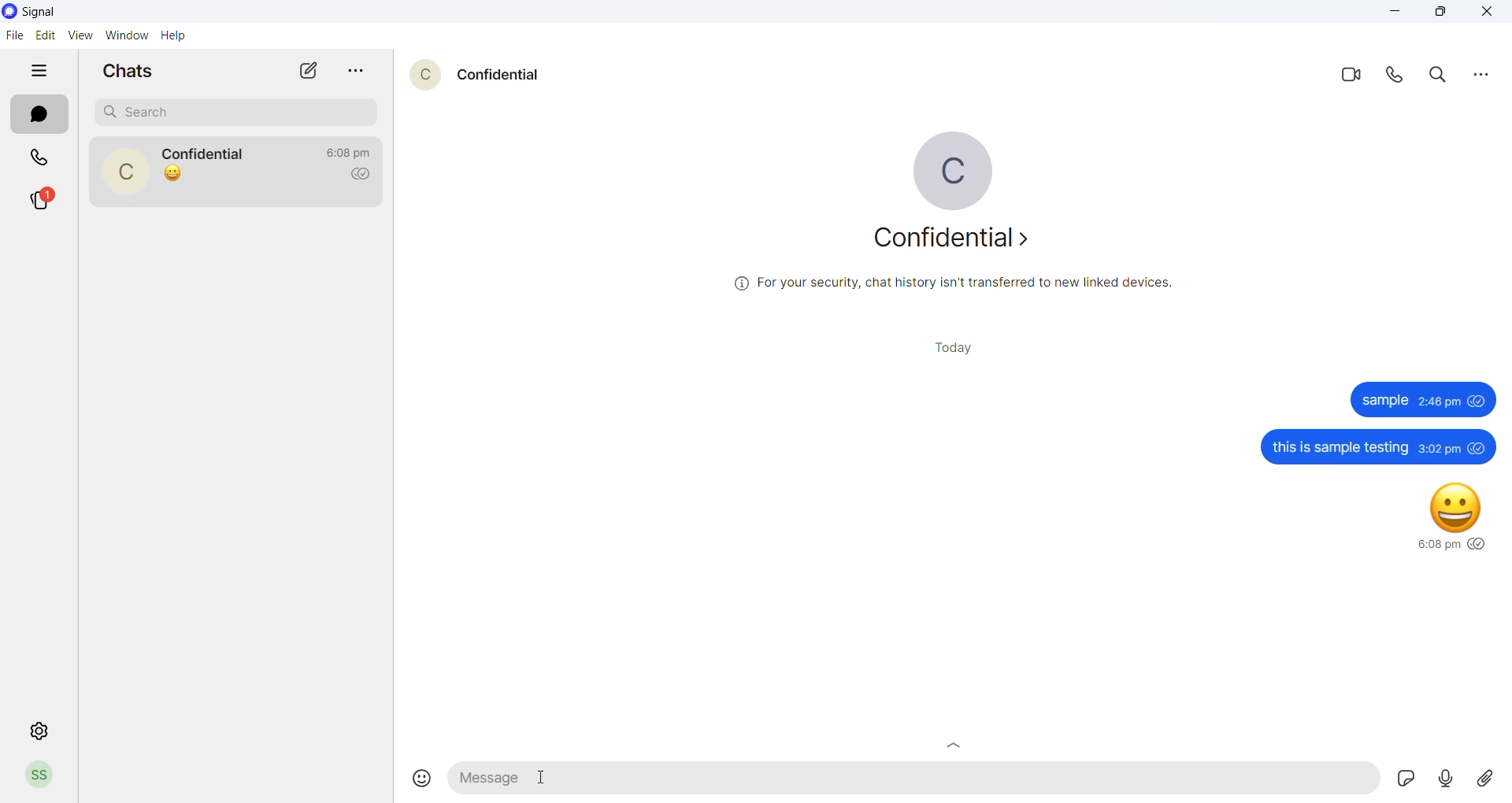 The height and width of the screenshot is (803, 1512). What do you see at coordinates (309, 71) in the screenshot?
I see `new chat` at bounding box center [309, 71].